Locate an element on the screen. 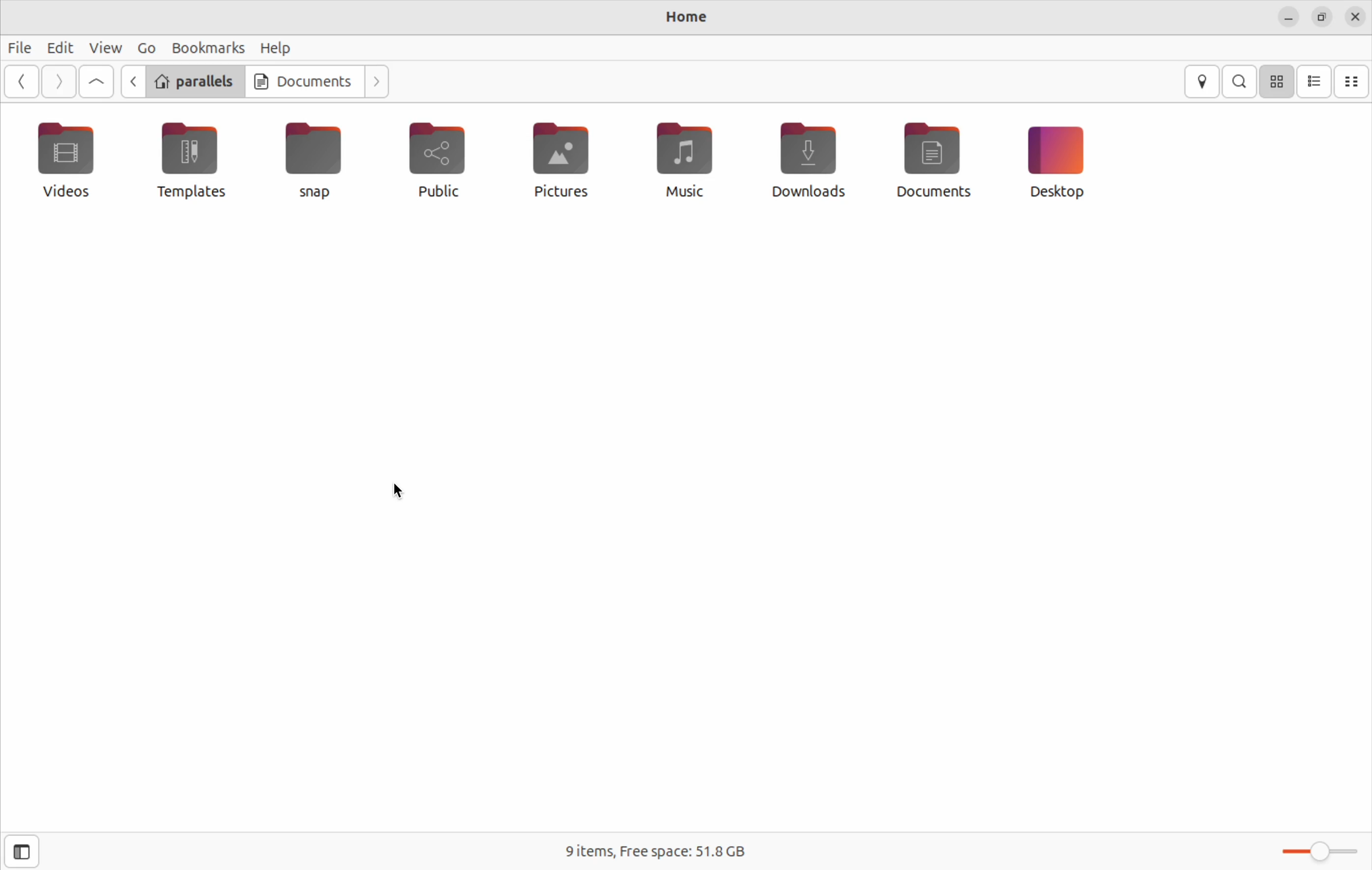  go back is located at coordinates (132, 81).